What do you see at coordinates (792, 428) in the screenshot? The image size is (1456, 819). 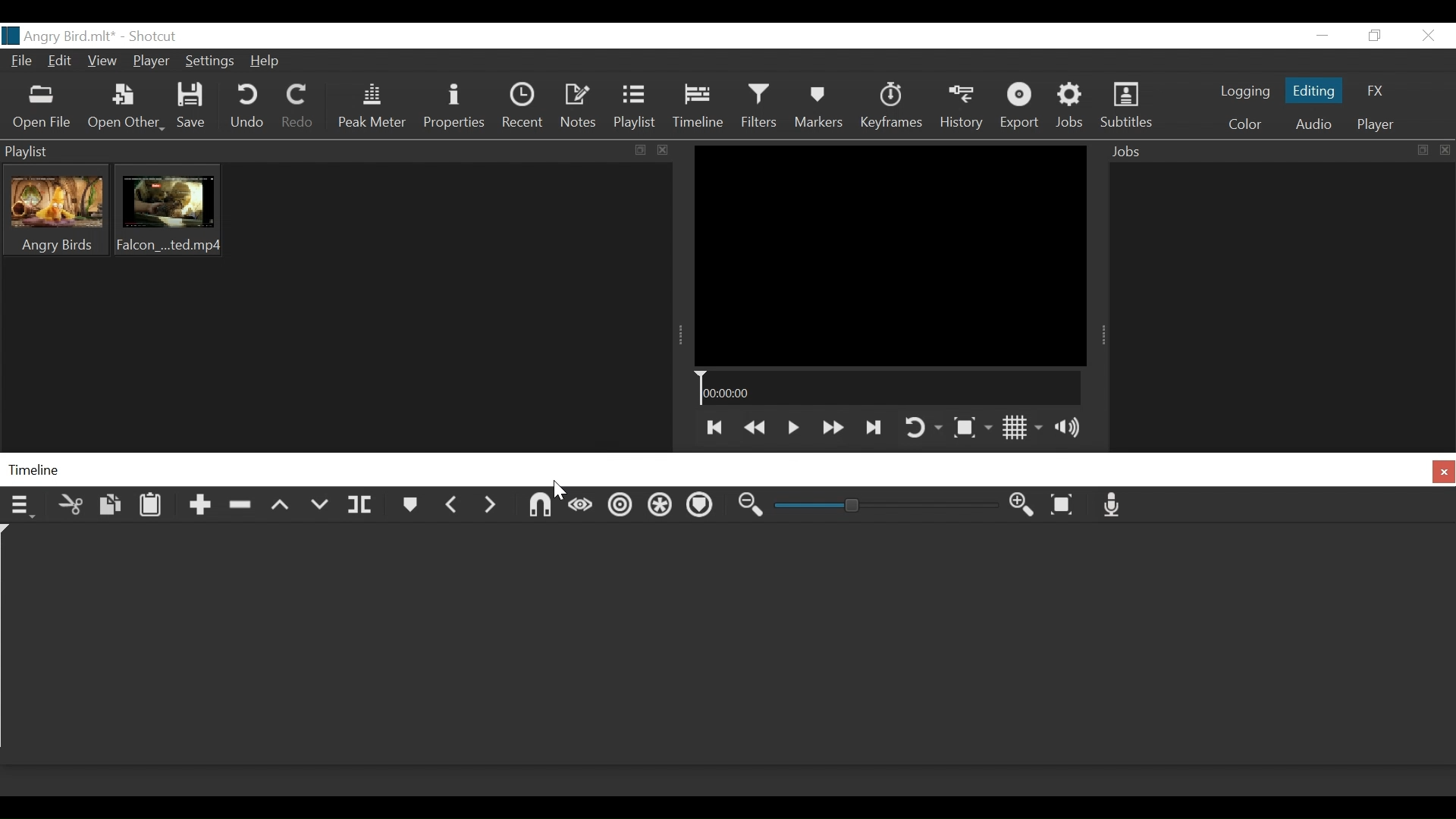 I see `Toggle play or pause (space)` at bounding box center [792, 428].